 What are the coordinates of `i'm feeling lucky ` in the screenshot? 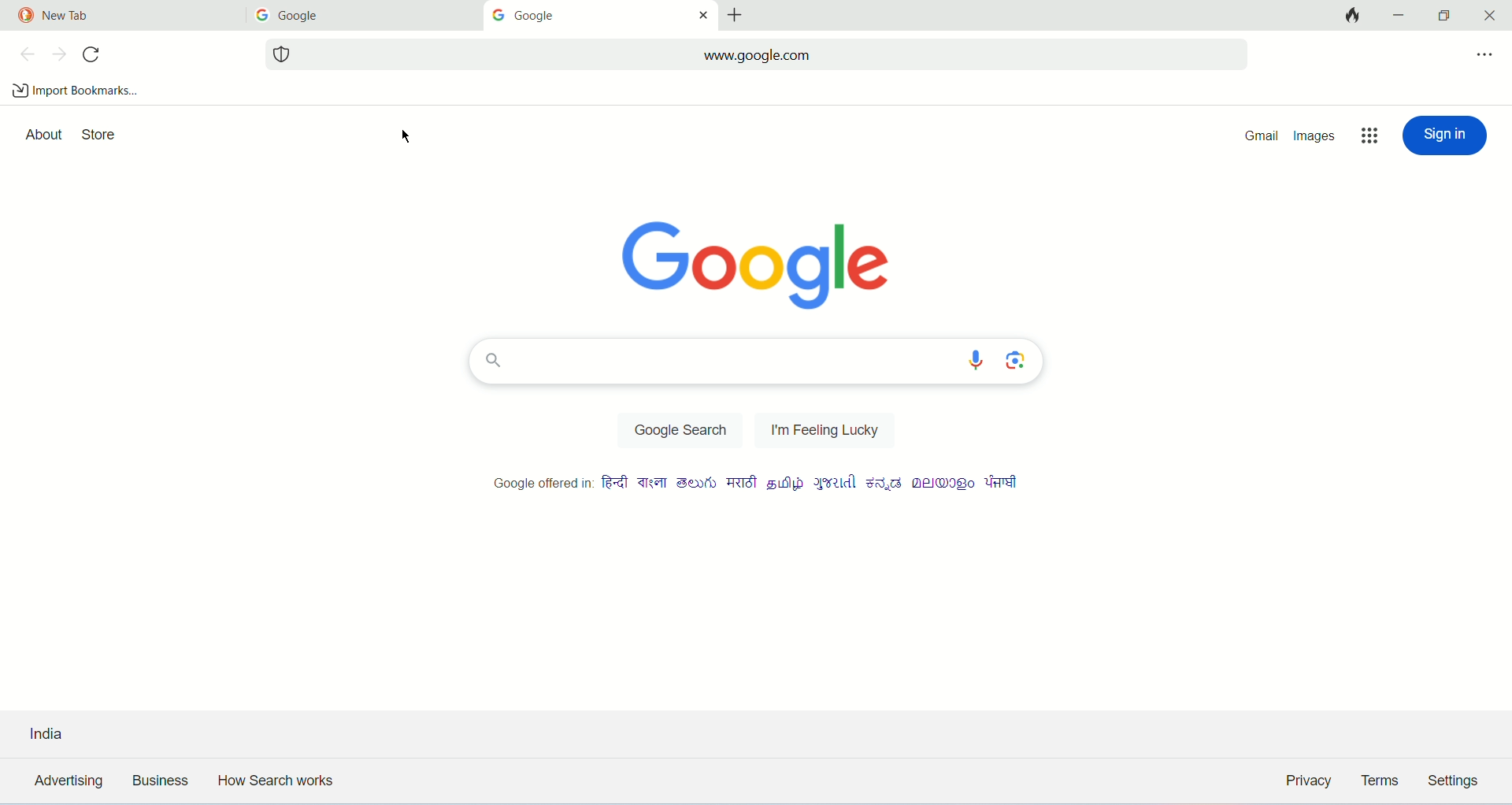 It's located at (834, 427).